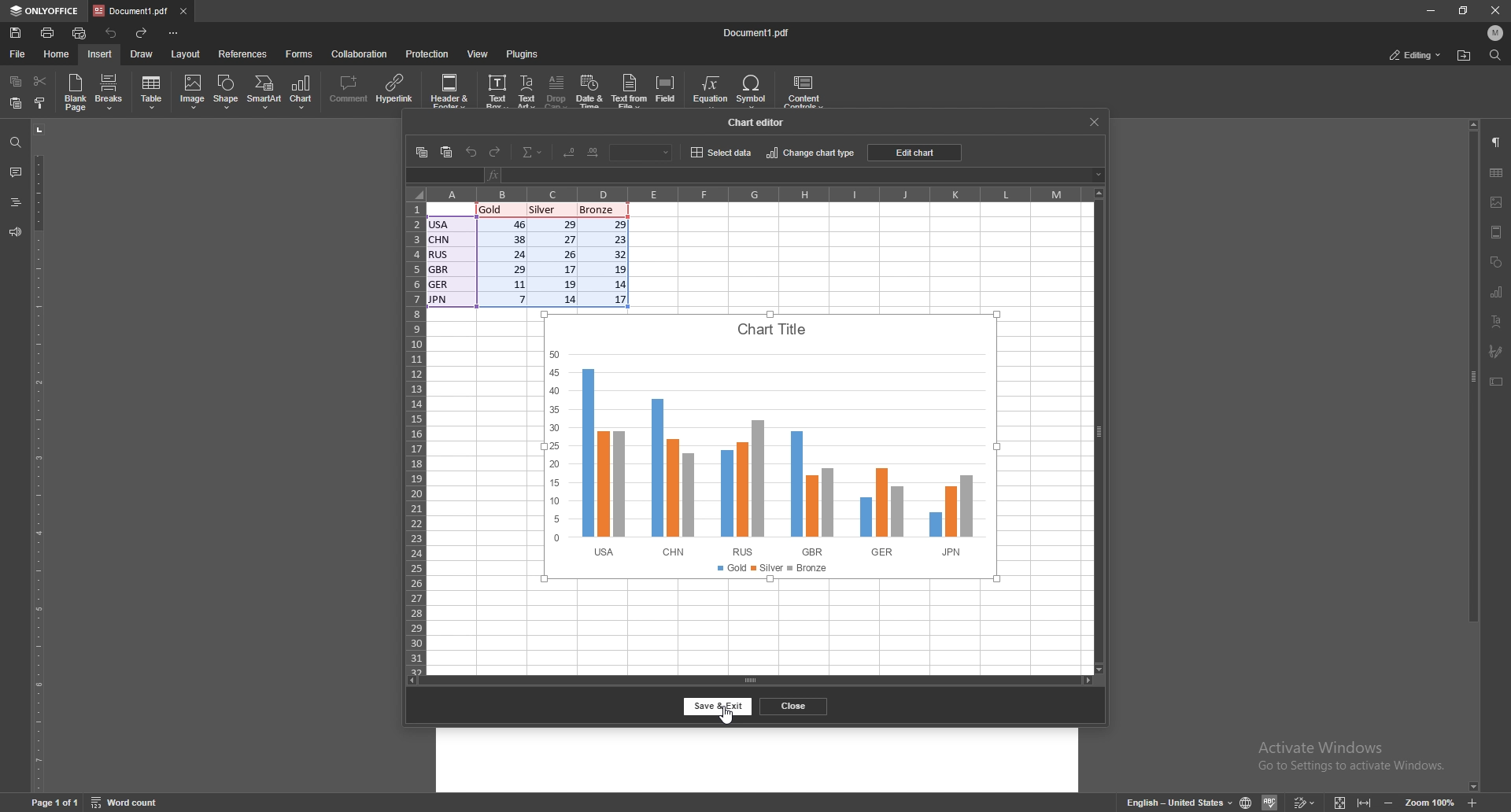 This screenshot has height=812, width=1511. What do you see at coordinates (1352, 755) in the screenshot?
I see `Activate windows` at bounding box center [1352, 755].